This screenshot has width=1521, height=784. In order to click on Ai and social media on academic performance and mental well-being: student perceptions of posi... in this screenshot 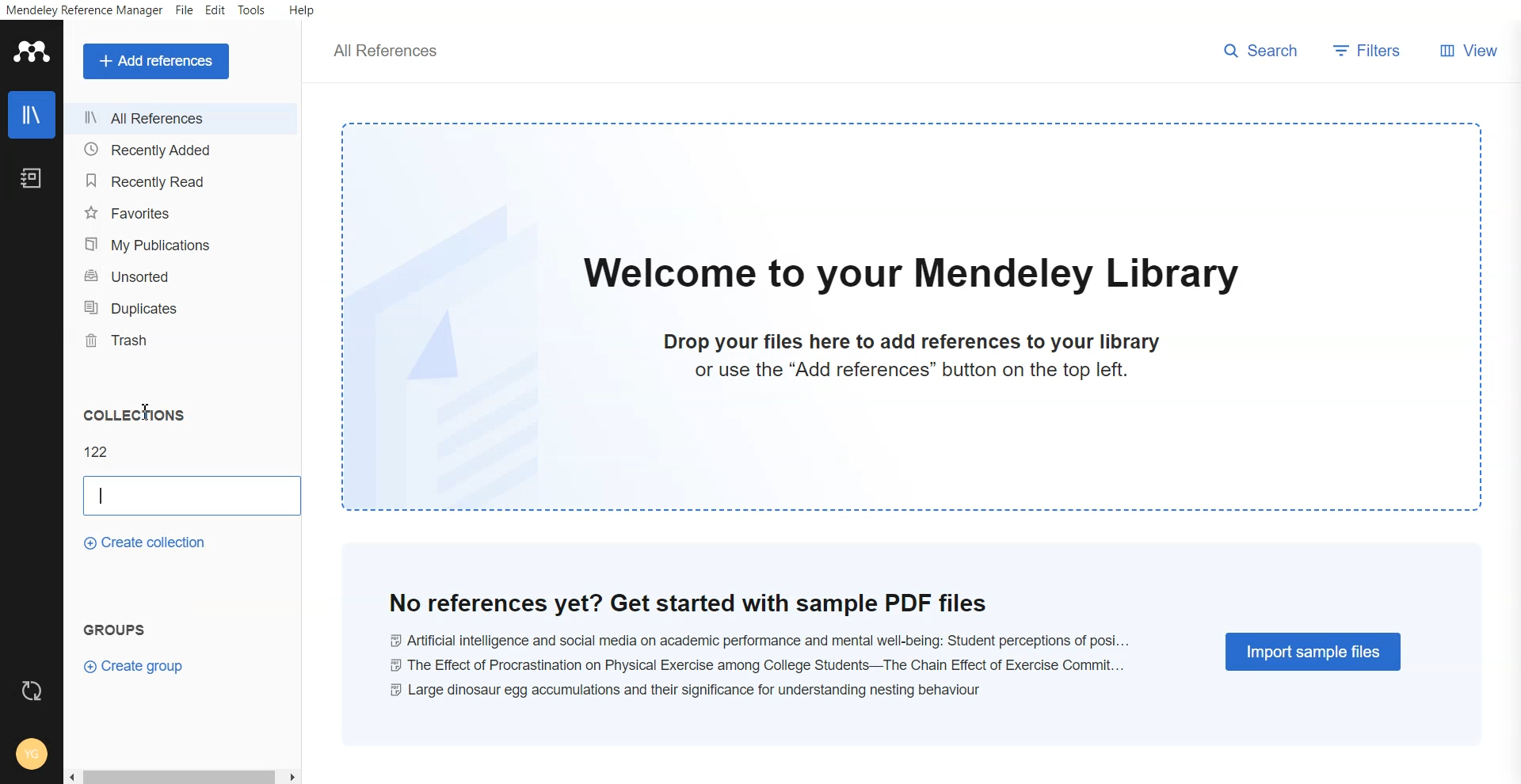, I will do `click(760, 637)`.